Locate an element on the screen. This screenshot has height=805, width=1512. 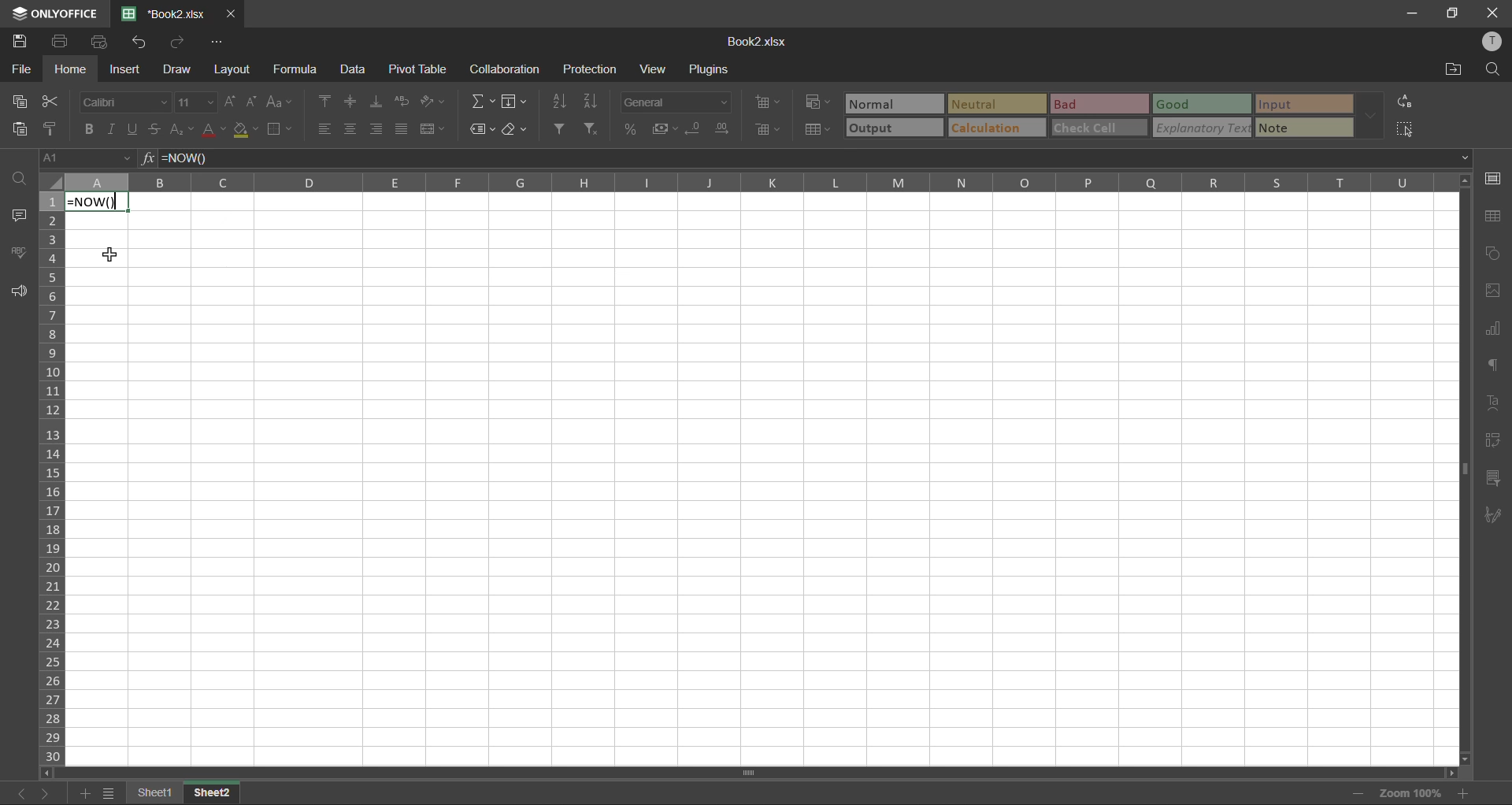
explanatory text is located at coordinates (1203, 127).